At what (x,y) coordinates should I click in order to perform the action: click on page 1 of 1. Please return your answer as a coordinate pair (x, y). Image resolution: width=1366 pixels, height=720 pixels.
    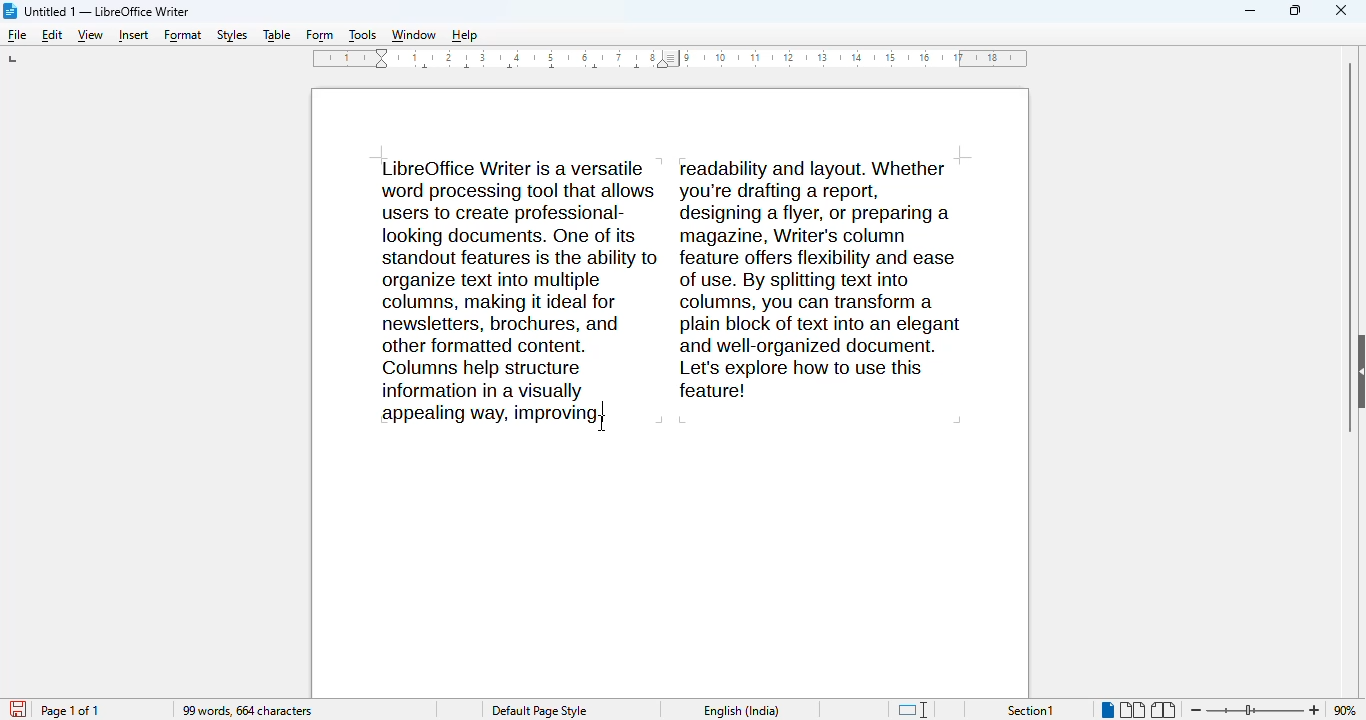
    Looking at the image, I should click on (71, 711).